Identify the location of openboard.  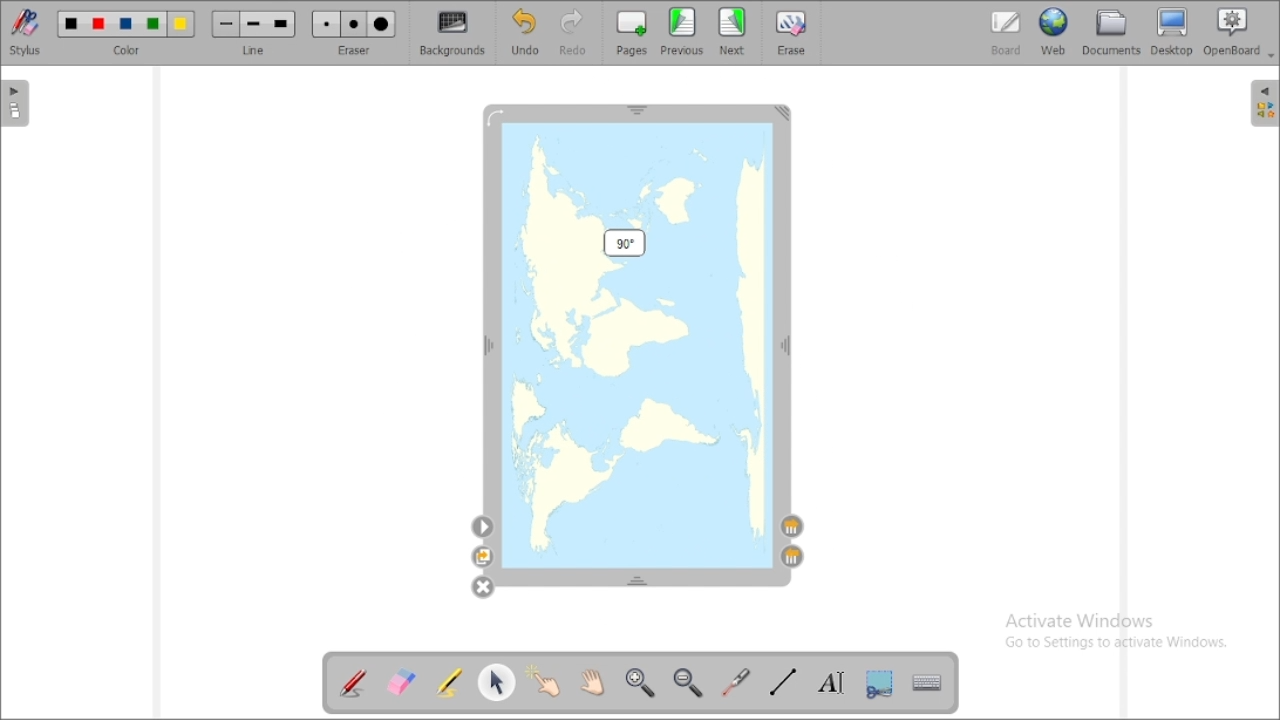
(1234, 32).